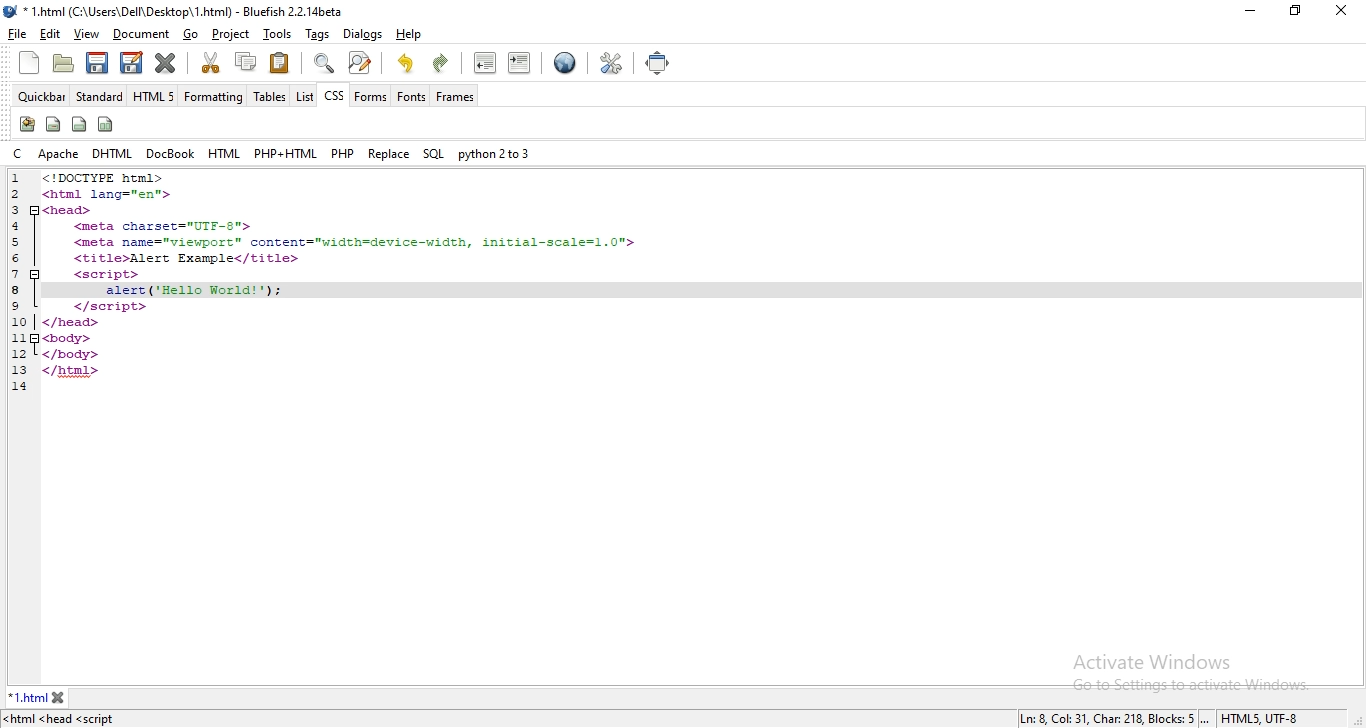 This screenshot has height=728, width=1366. What do you see at coordinates (16, 153) in the screenshot?
I see `c` at bounding box center [16, 153].